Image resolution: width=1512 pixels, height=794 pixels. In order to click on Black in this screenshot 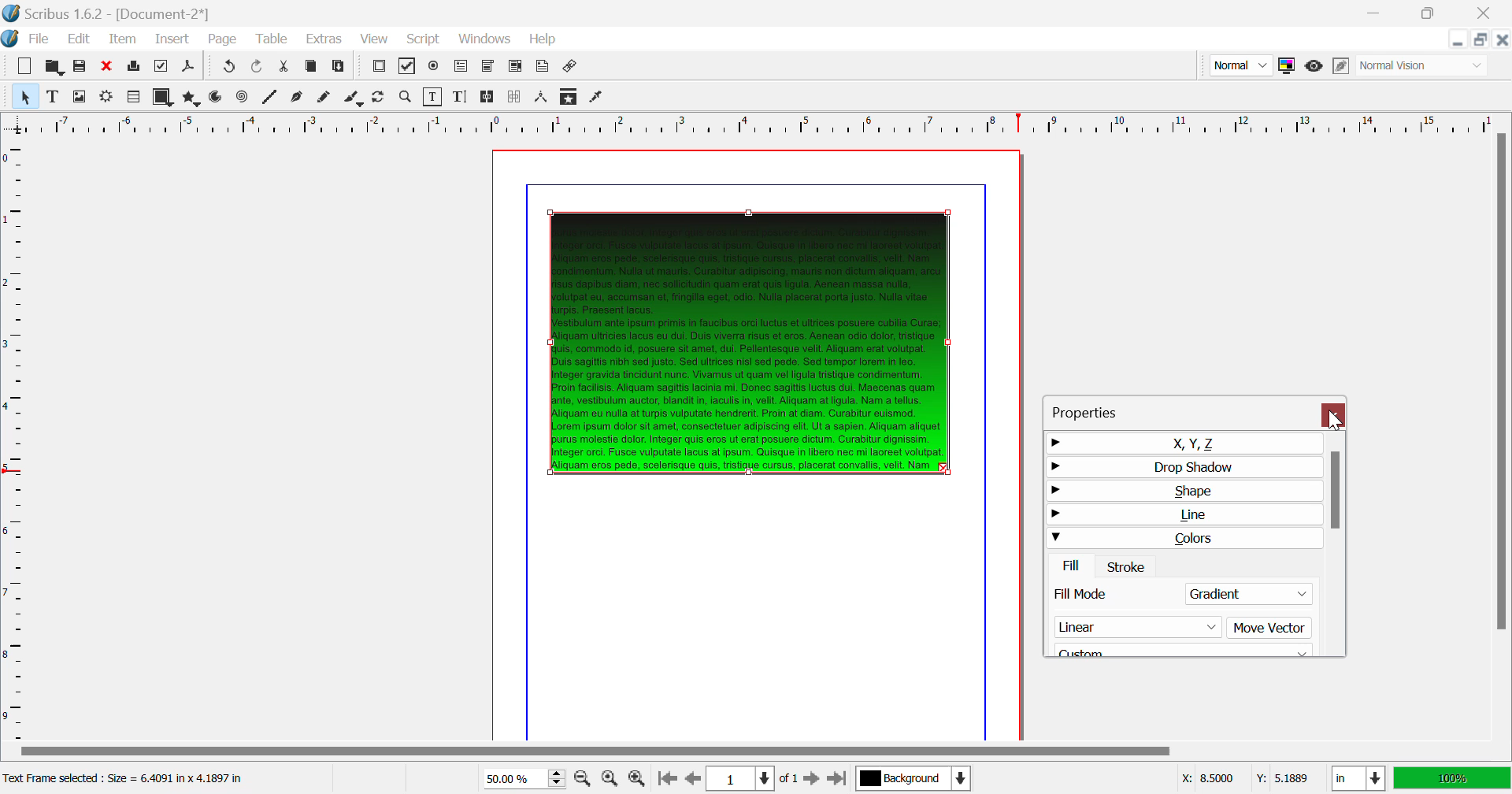, I will do `click(1184, 647)`.